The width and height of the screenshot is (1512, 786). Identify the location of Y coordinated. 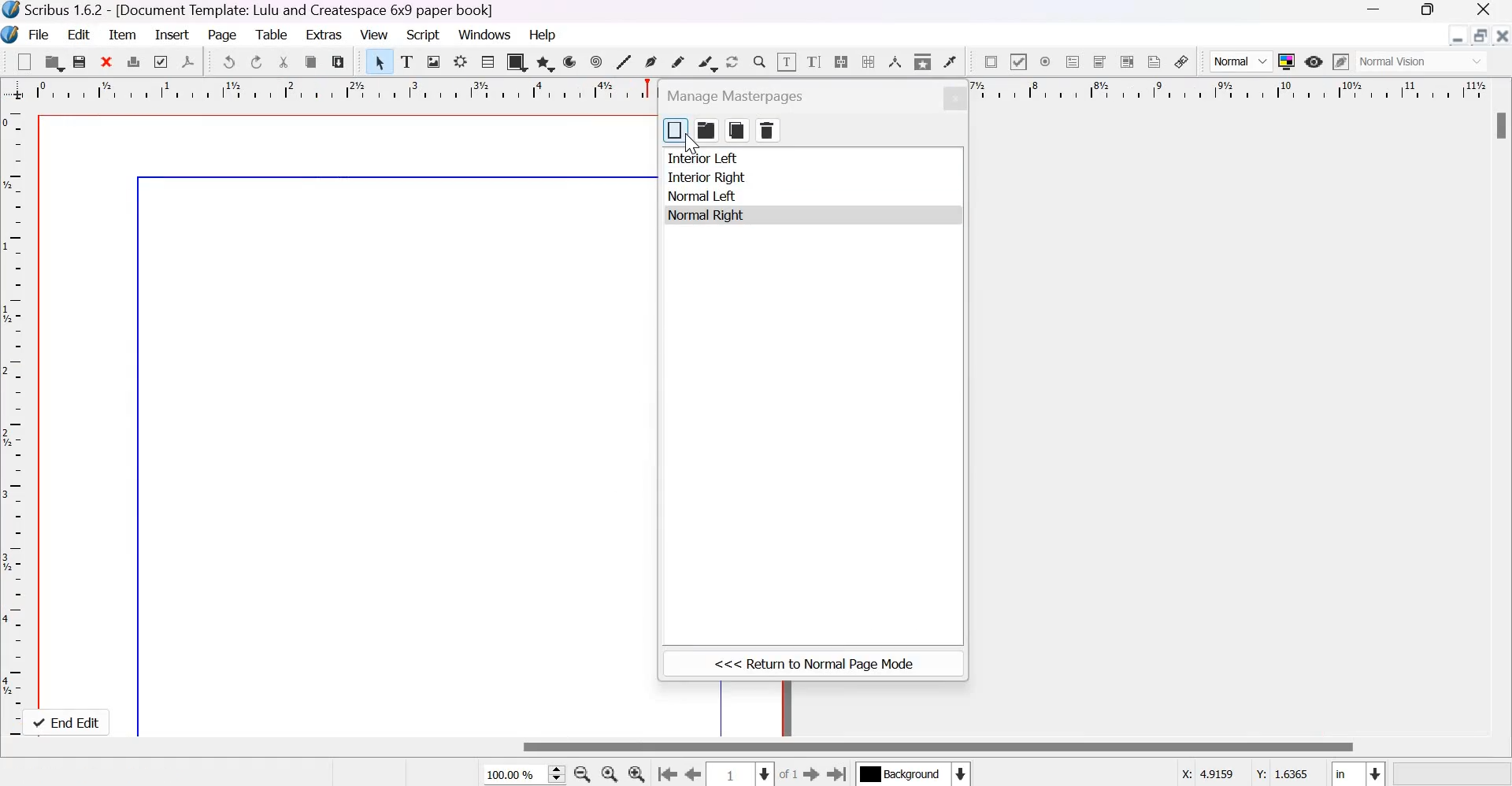
(1283, 773).